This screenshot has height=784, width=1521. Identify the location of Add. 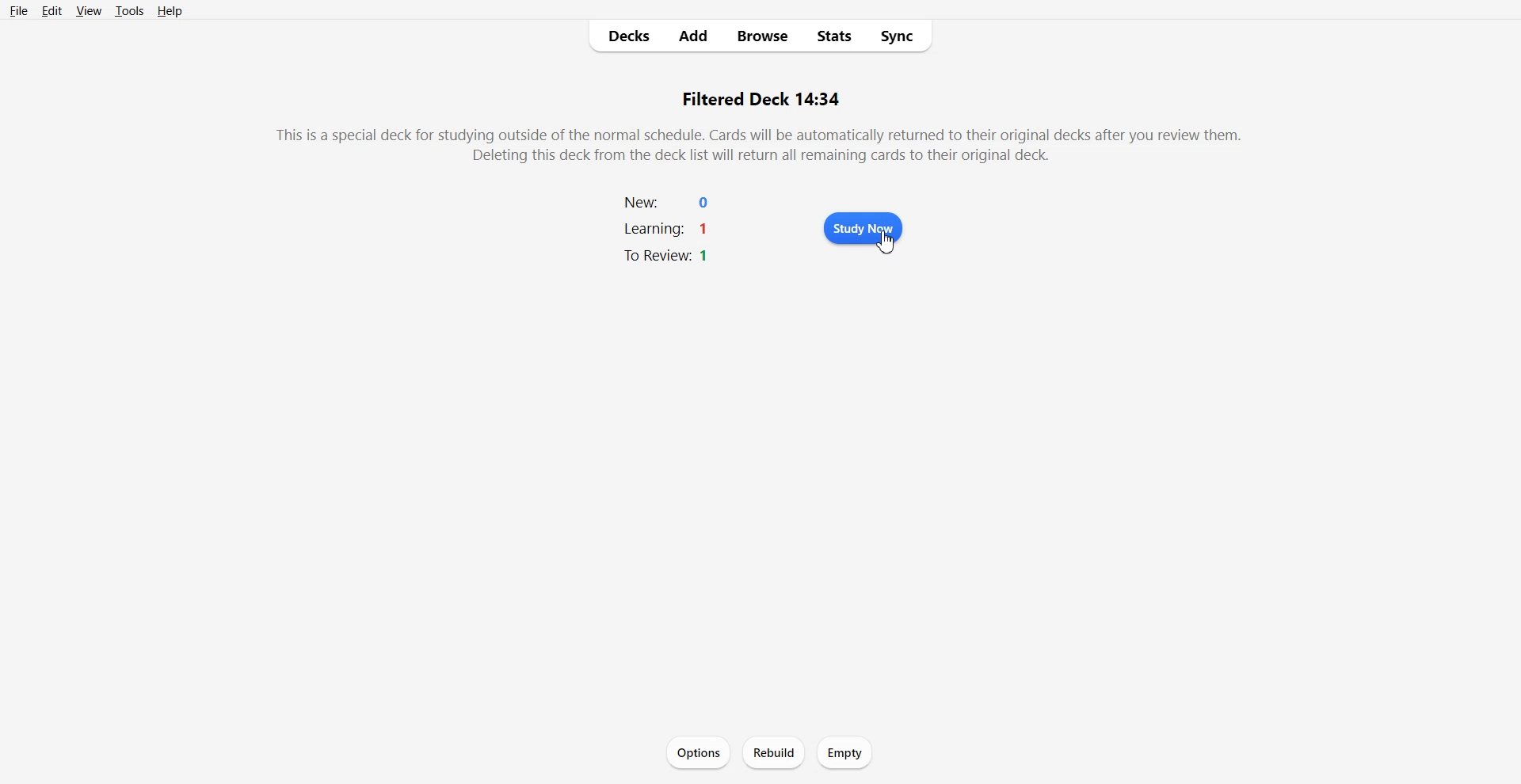
(693, 36).